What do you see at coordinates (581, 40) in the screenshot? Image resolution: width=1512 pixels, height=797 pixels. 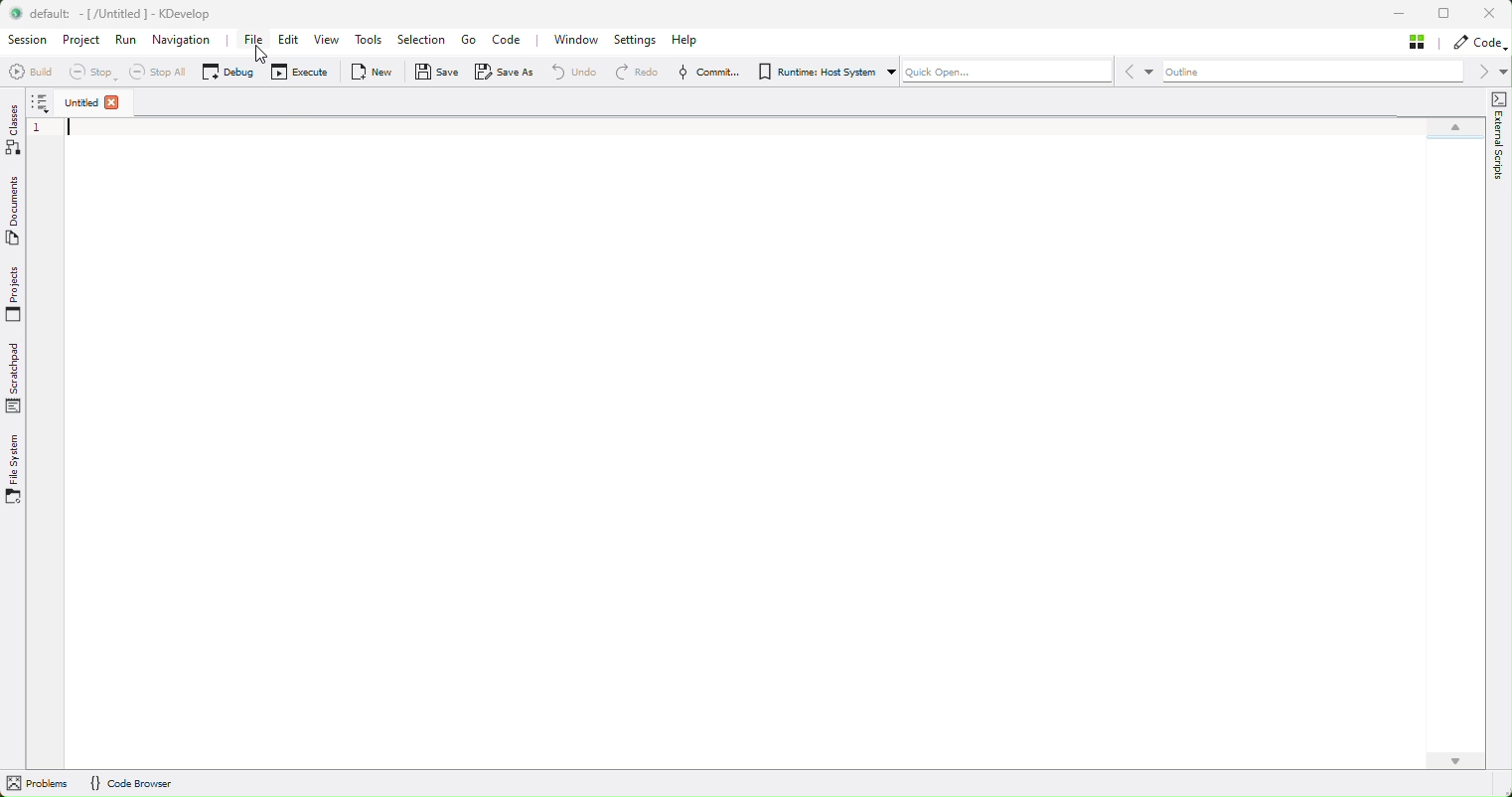 I see `Window` at bounding box center [581, 40].